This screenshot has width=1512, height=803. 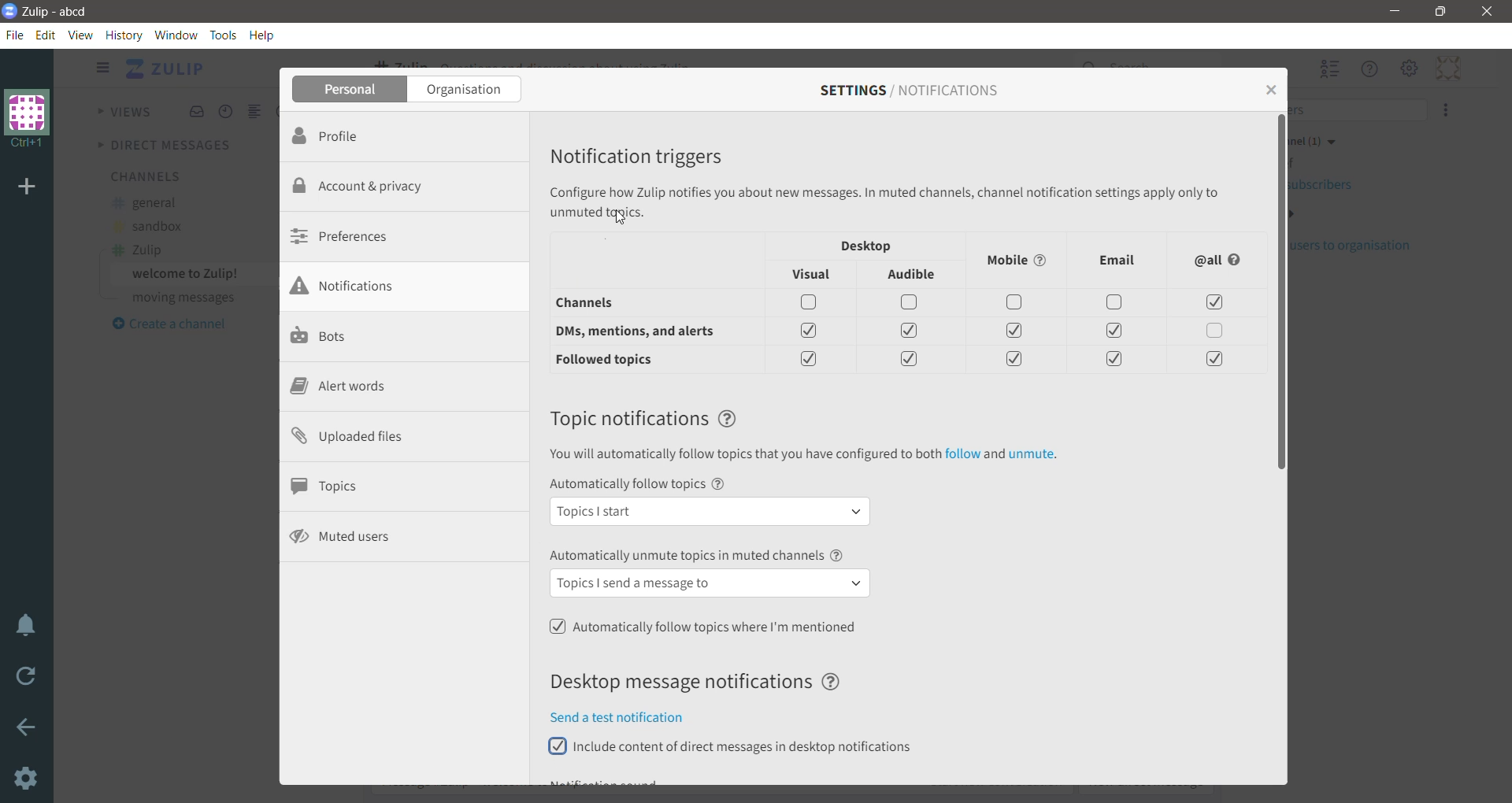 What do you see at coordinates (338, 388) in the screenshot?
I see `Alert words` at bounding box center [338, 388].